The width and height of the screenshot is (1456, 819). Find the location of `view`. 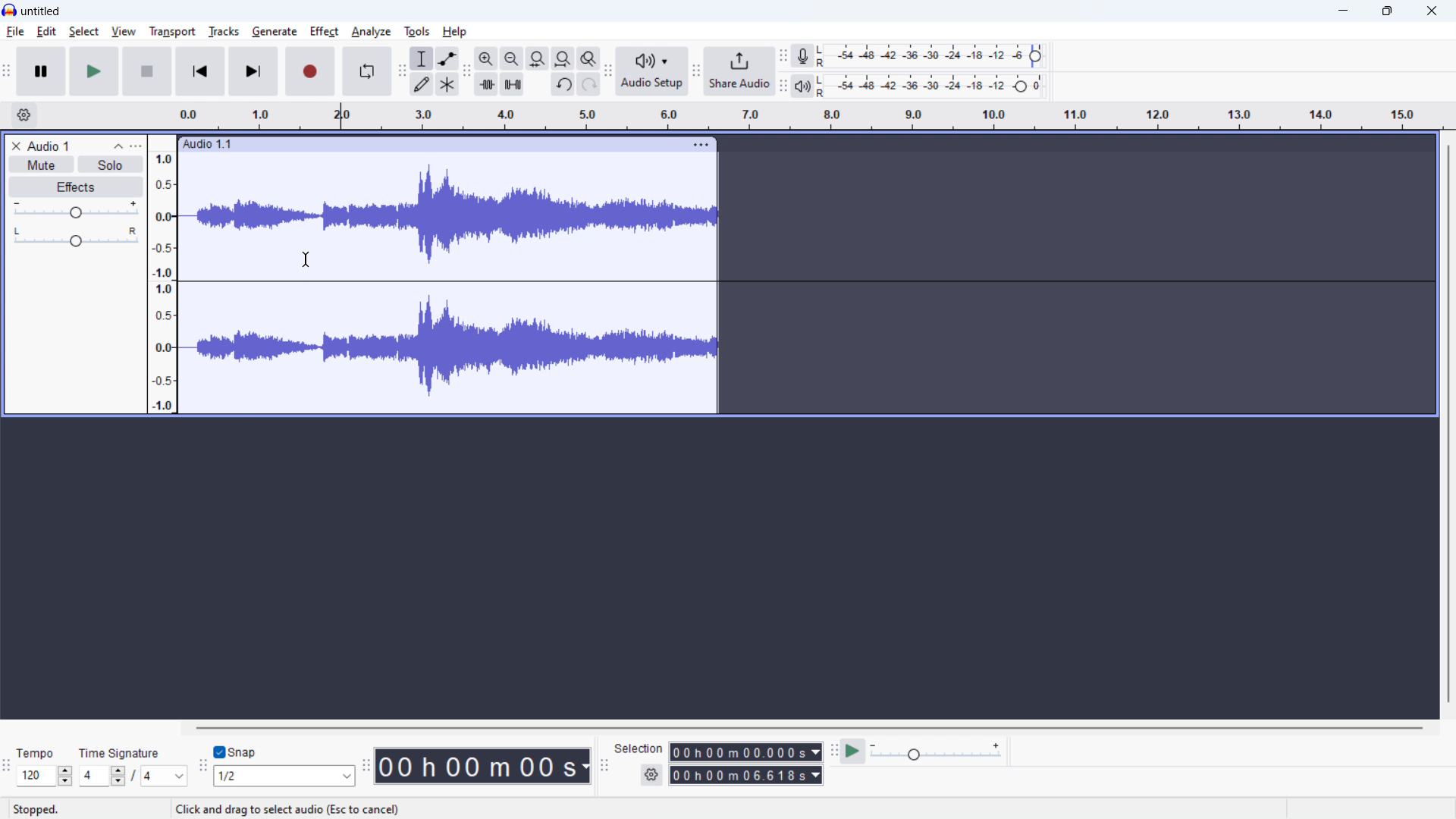

view is located at coordinates (124, 32).